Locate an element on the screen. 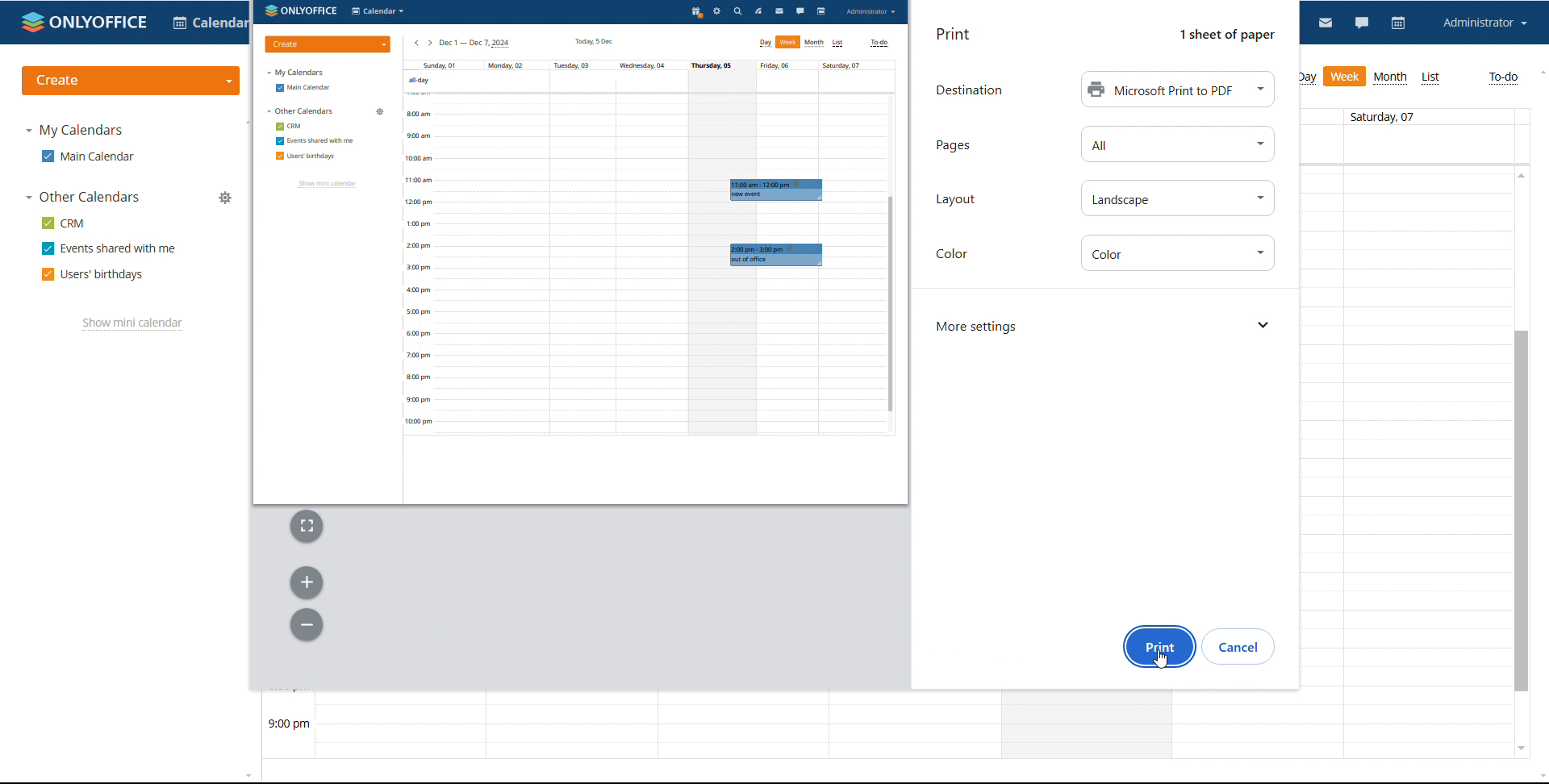  create is located at coordinates (132, 81).